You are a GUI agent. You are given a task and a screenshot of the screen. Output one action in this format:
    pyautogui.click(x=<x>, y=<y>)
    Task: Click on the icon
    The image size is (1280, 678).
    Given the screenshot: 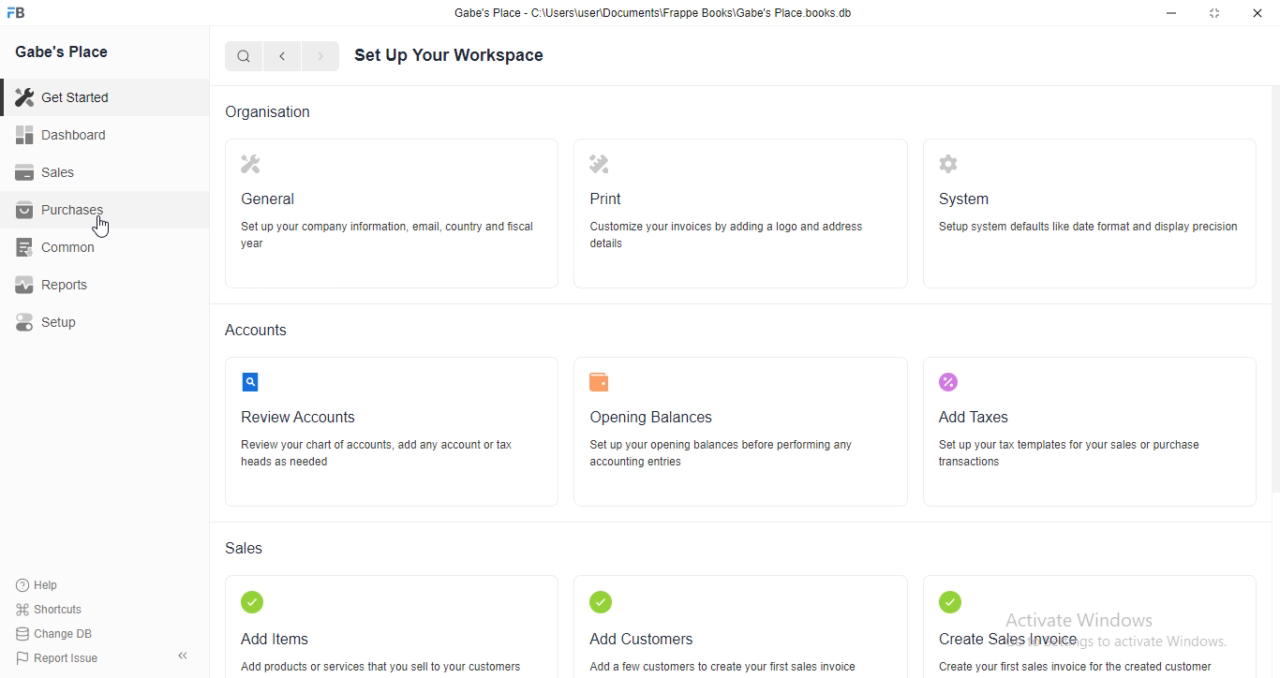 What is the action you would take?
    pyautogui.click(x=253, y=385)
    